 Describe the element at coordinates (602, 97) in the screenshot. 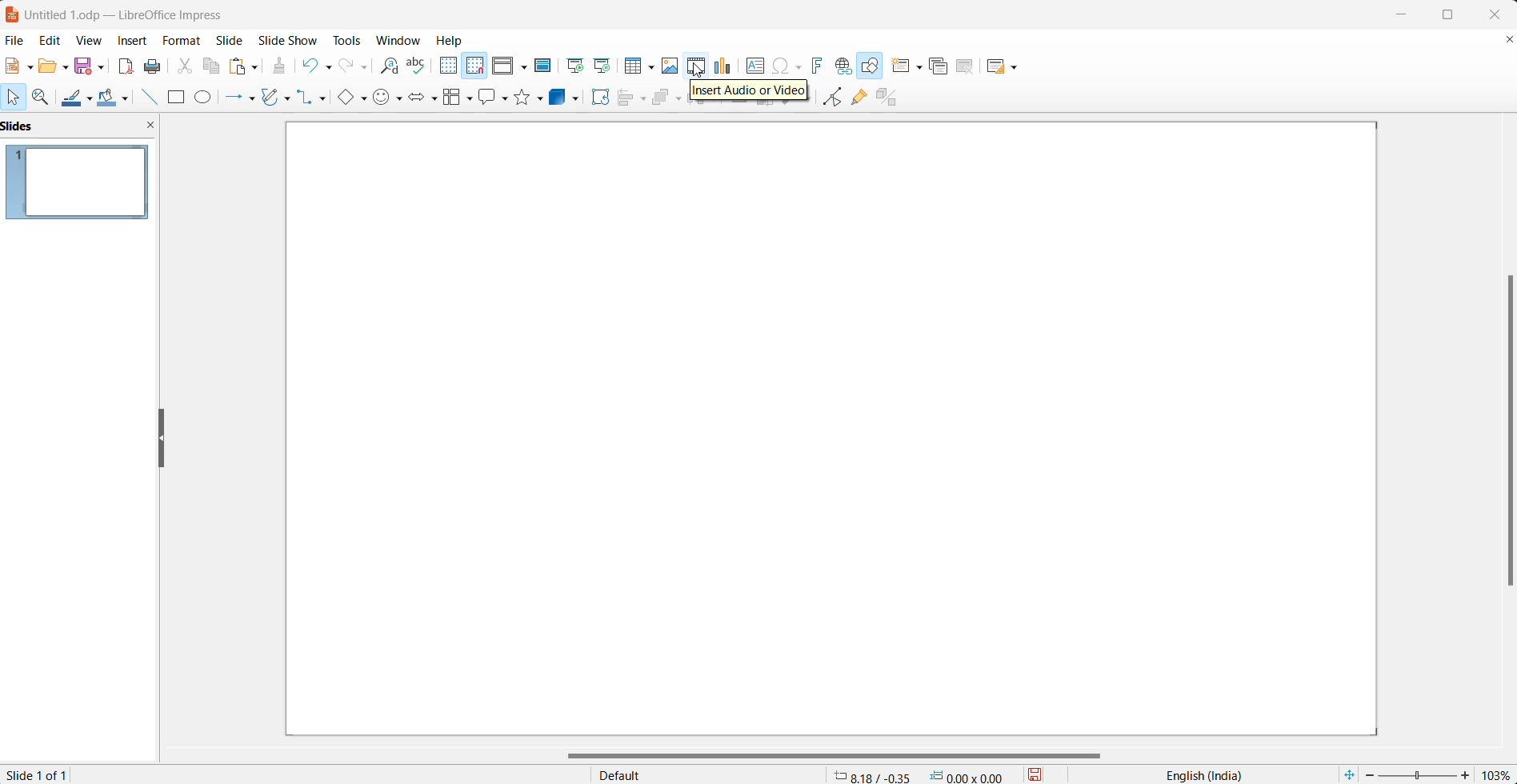

I see `rotate` at that location.